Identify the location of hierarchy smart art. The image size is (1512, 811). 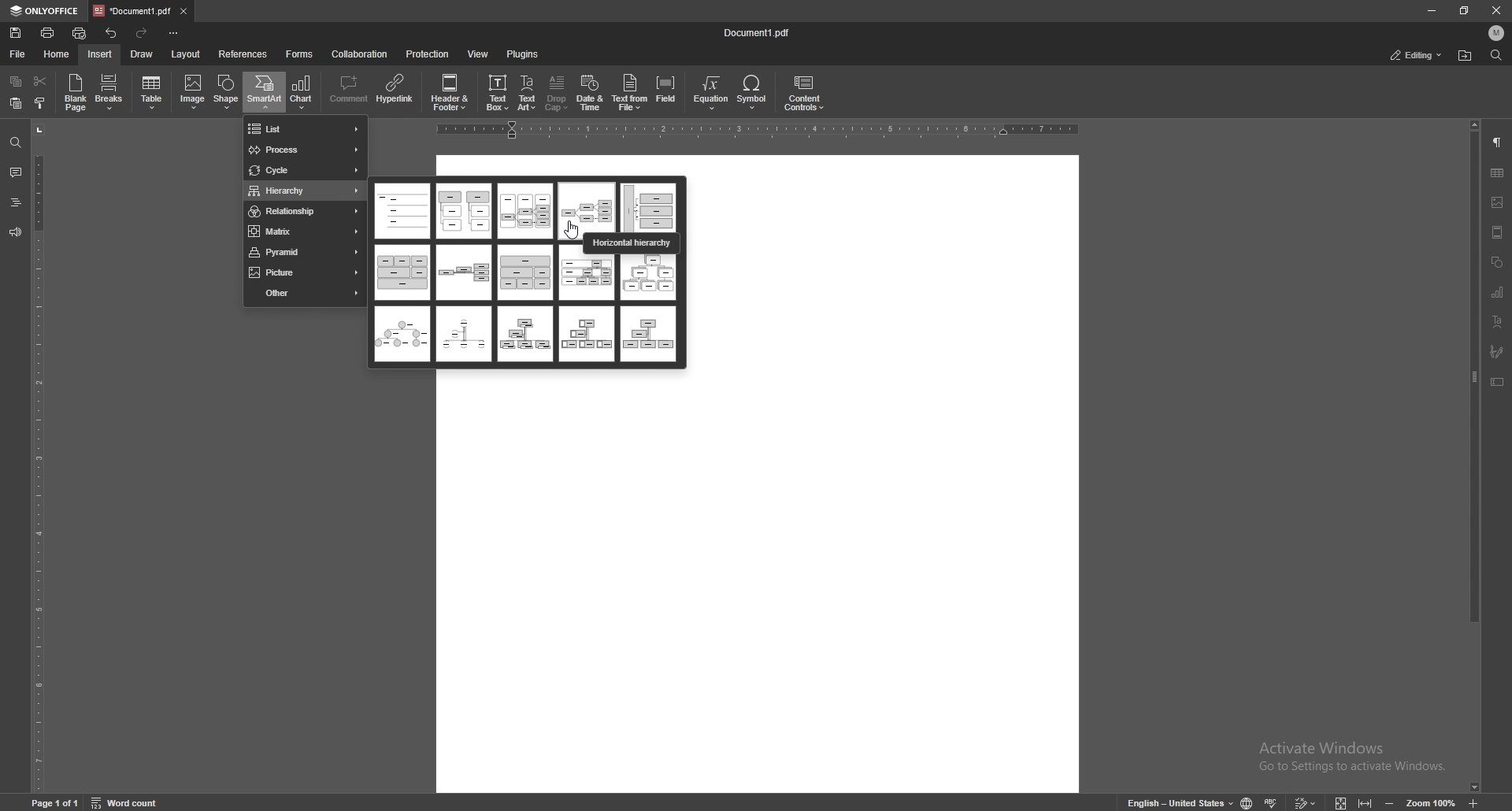
(465, 273).